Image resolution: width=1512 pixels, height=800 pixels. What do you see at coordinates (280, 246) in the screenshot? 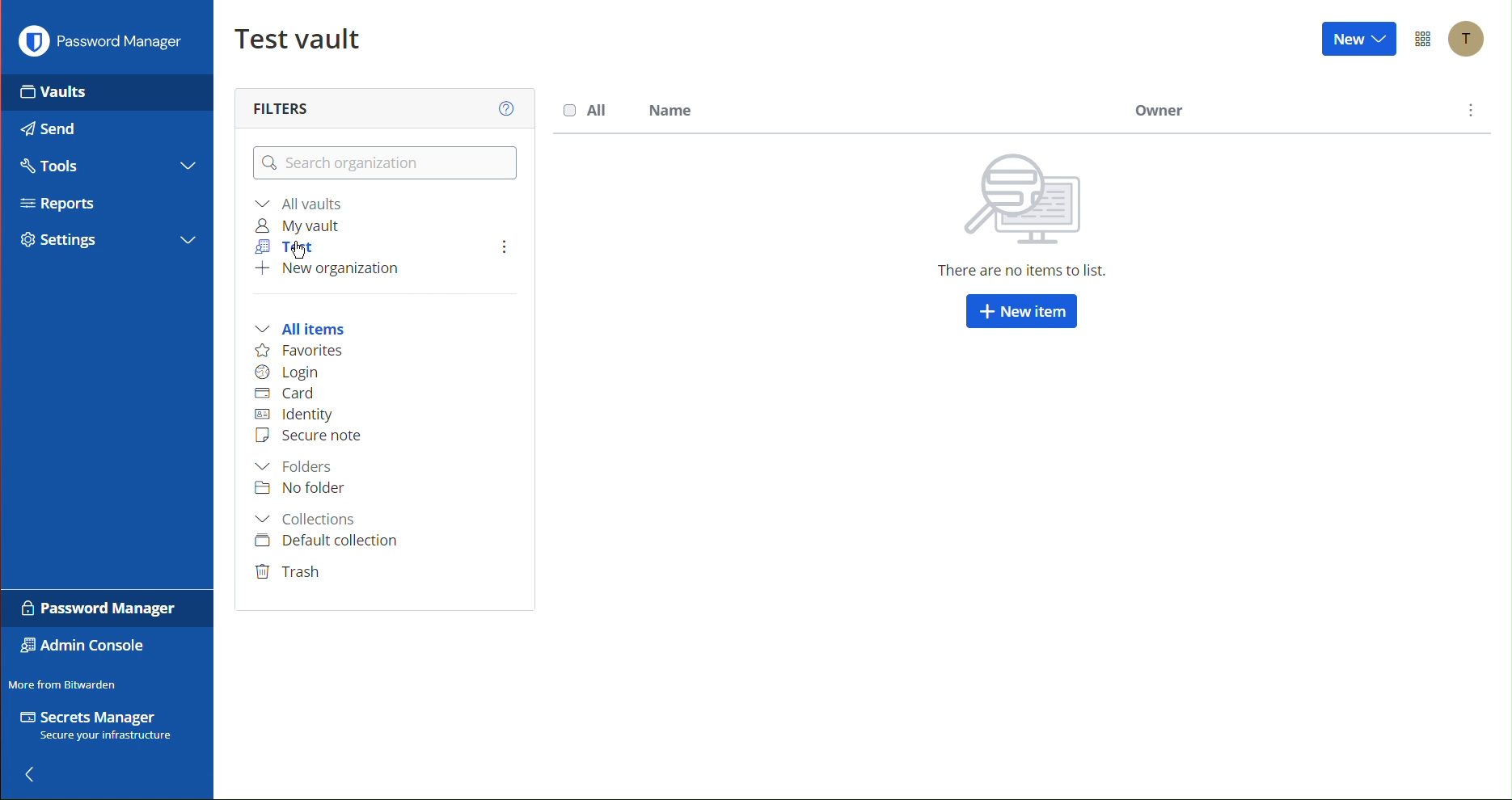
I see `Test` at bounding box center [280, 246].